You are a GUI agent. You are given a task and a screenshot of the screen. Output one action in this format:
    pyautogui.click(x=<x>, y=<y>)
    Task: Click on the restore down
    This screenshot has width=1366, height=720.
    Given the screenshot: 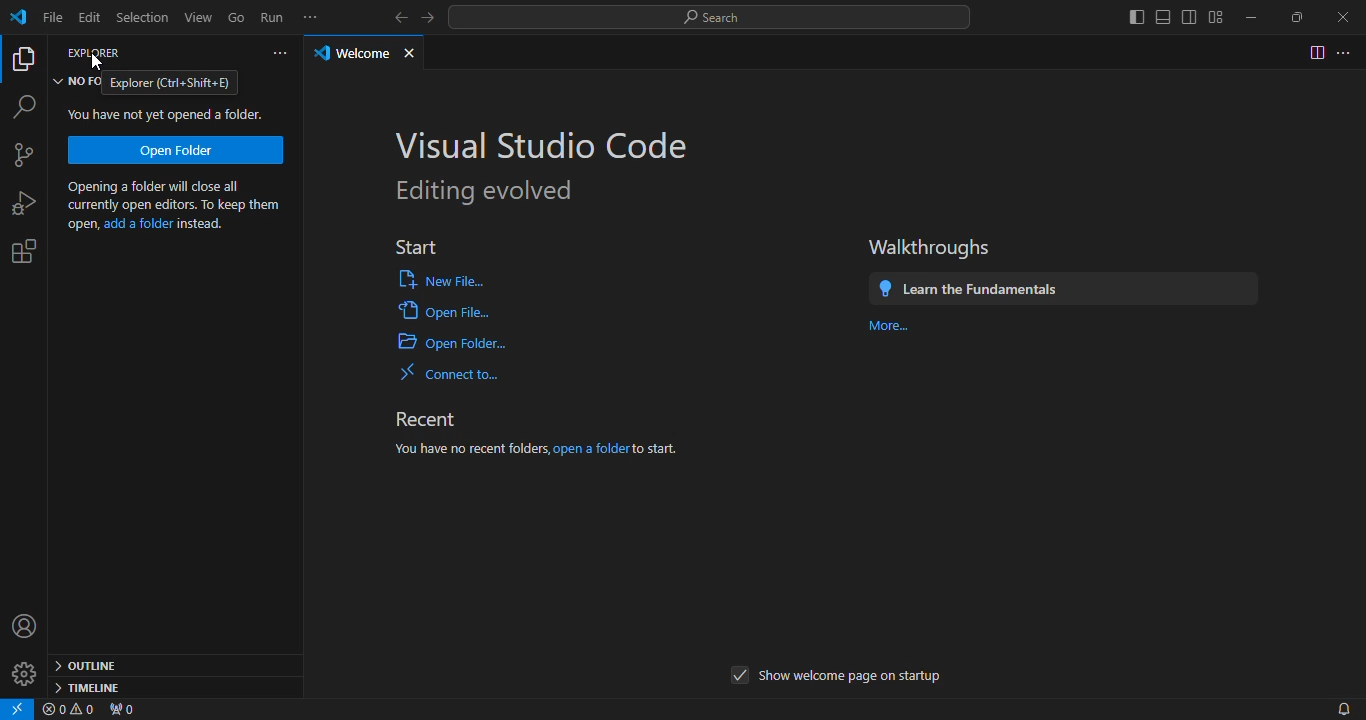 What is the action you would take?
    pyautogui.click(x=1290, y=17)
    